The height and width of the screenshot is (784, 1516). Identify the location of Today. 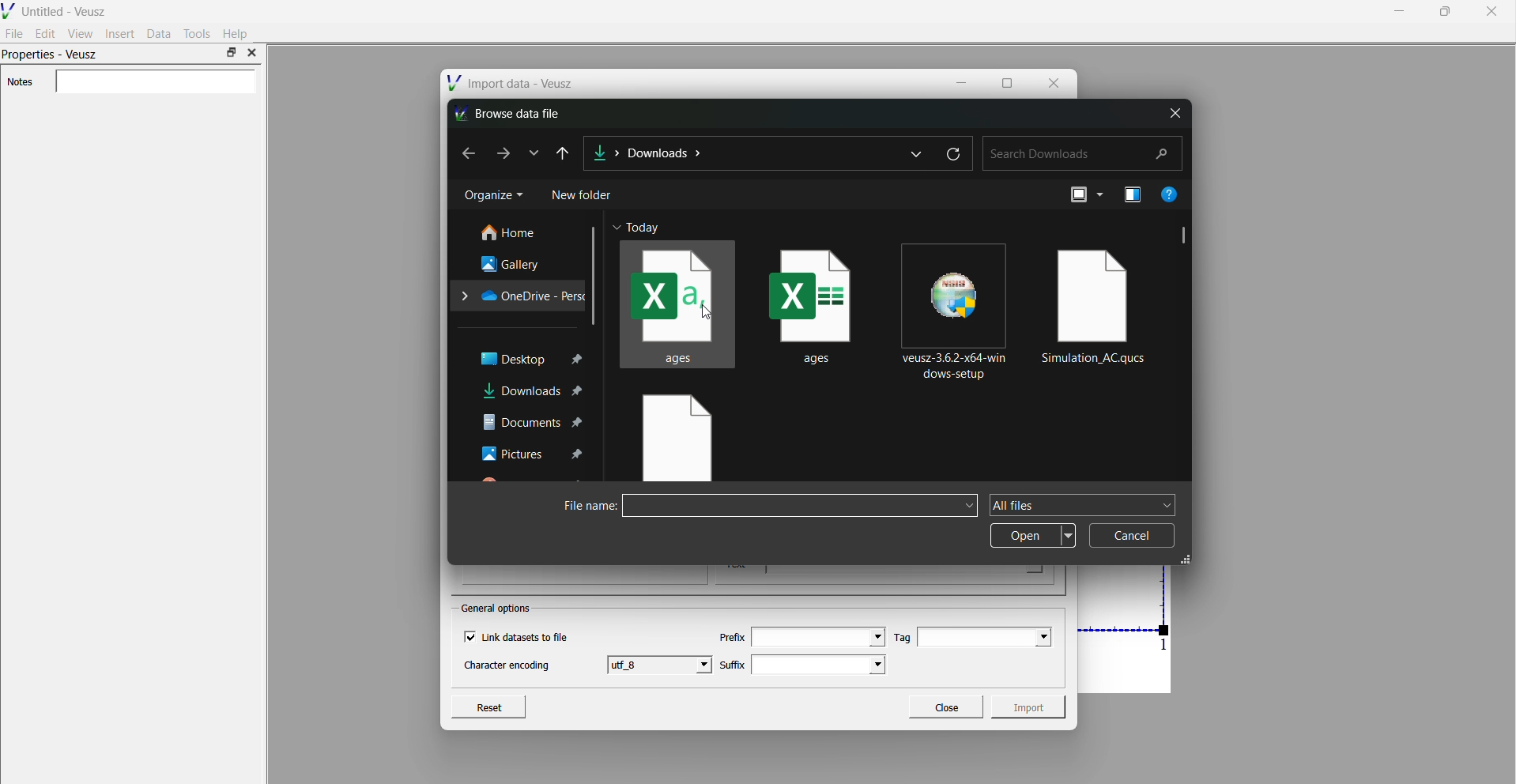
(644, 228).